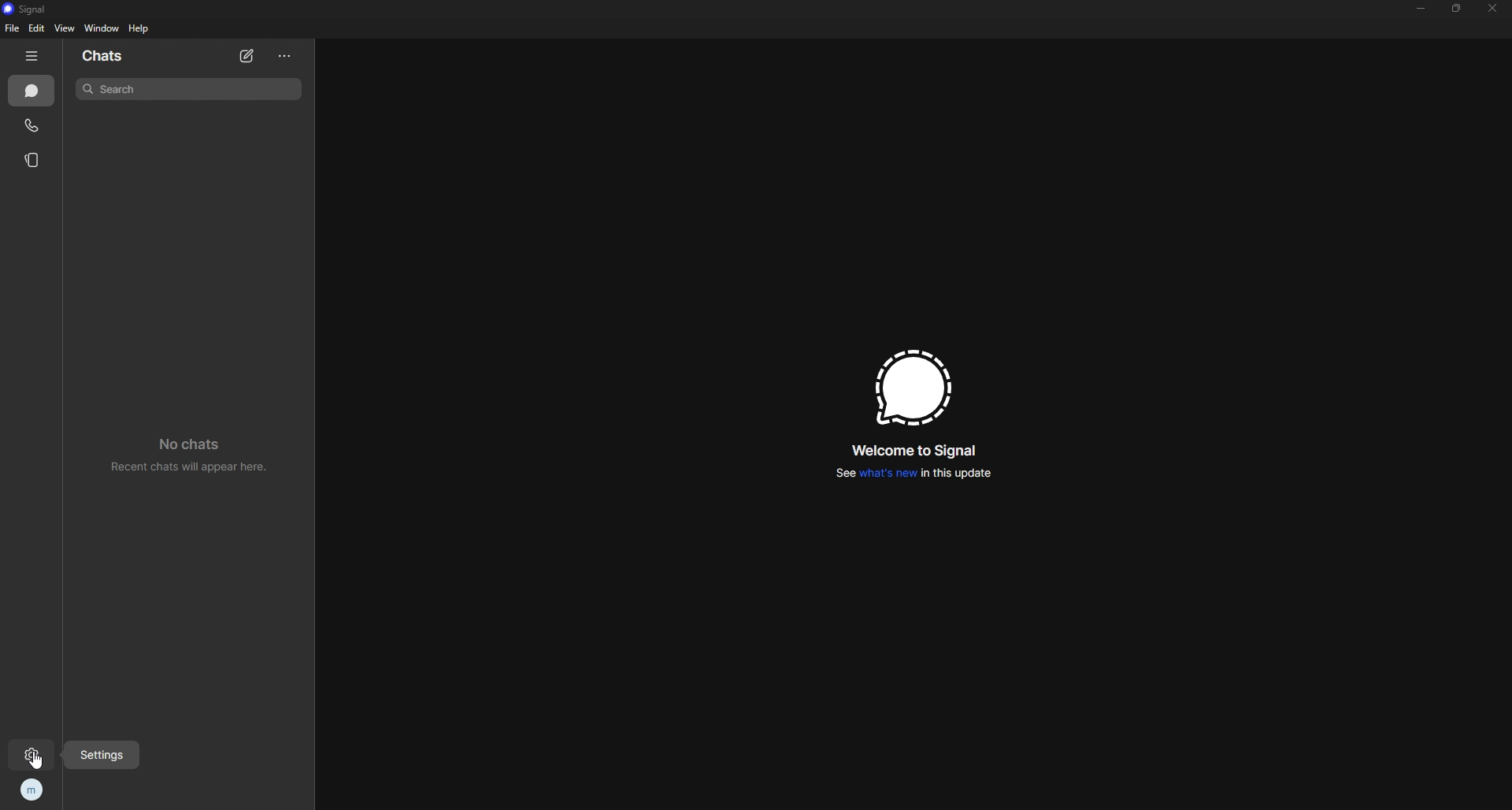 Image resolution: width=1512 pixels, height=810 pixels. I want to click on tooltip, so click(102, 756).